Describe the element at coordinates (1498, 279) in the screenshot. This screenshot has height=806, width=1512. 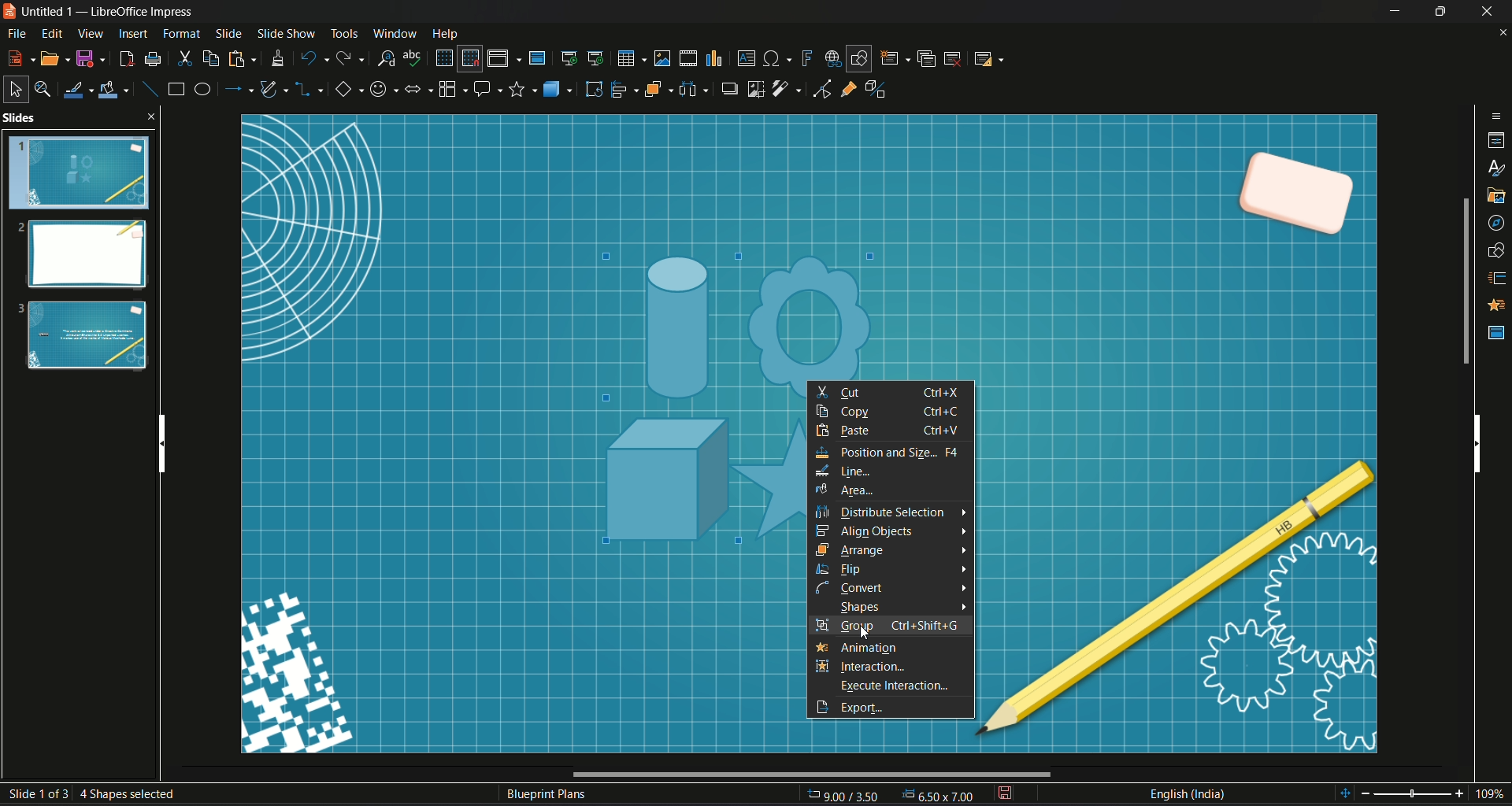
I see `slide transition` at that location.